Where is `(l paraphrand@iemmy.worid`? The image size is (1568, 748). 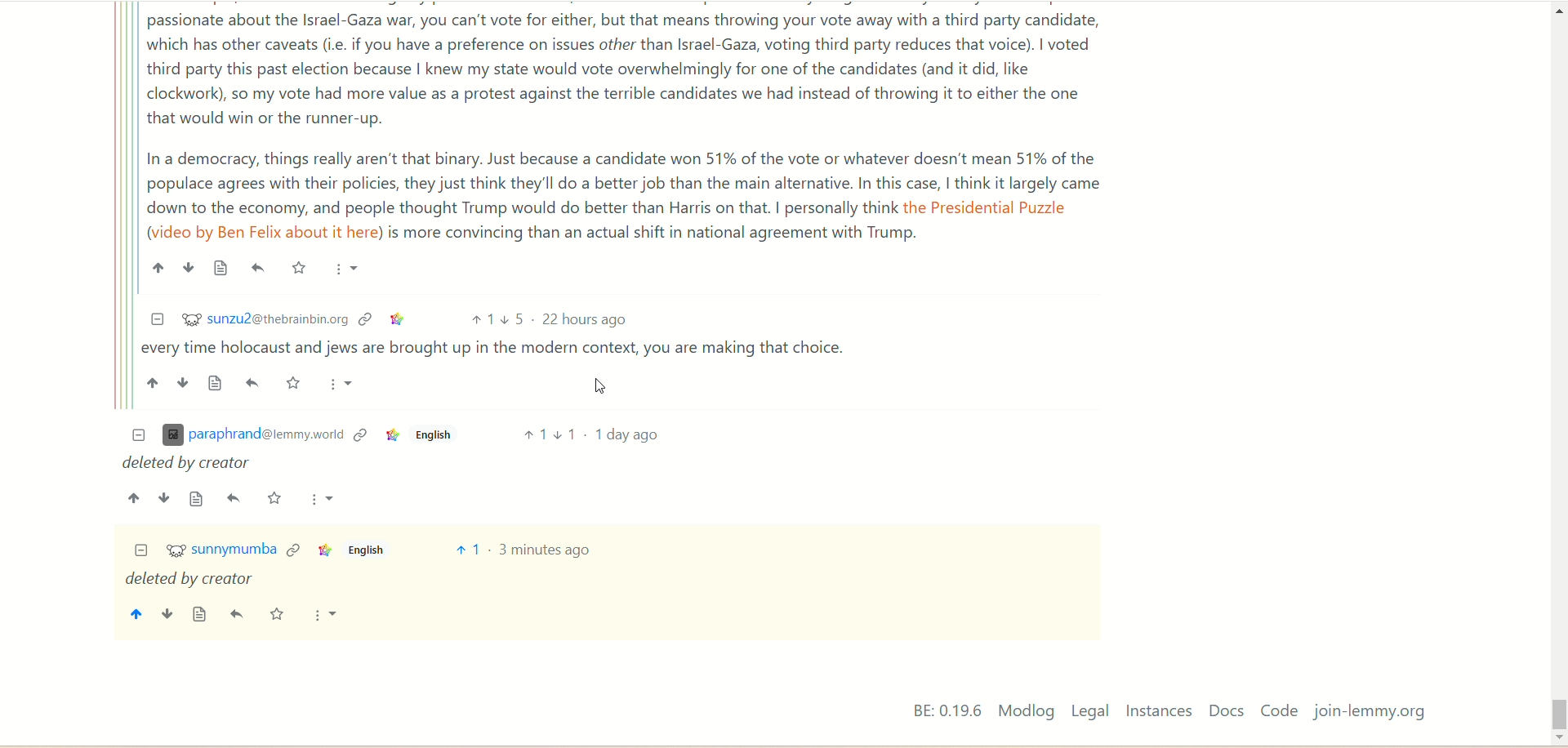
(l paraphrand@iemmy.worid is located at coordinates (252, 436).